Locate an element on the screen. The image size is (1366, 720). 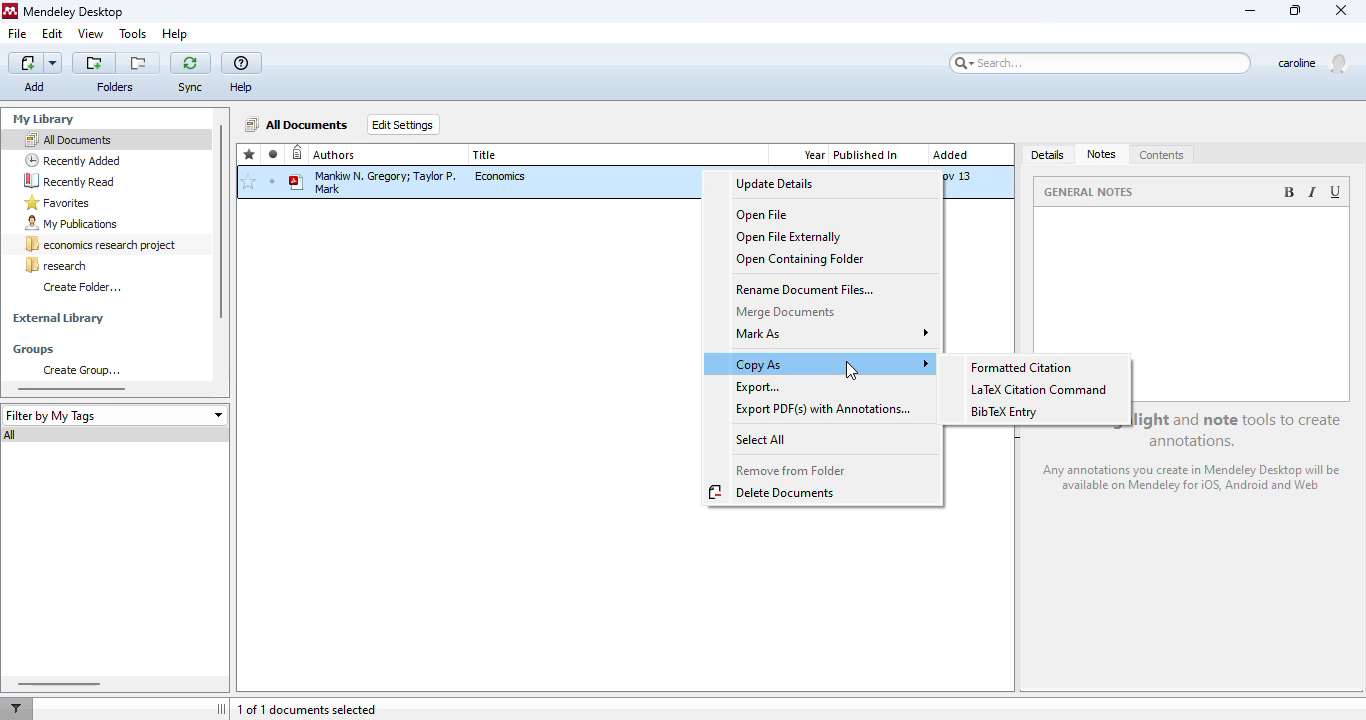
copy as is located at coordinates (832, 364).